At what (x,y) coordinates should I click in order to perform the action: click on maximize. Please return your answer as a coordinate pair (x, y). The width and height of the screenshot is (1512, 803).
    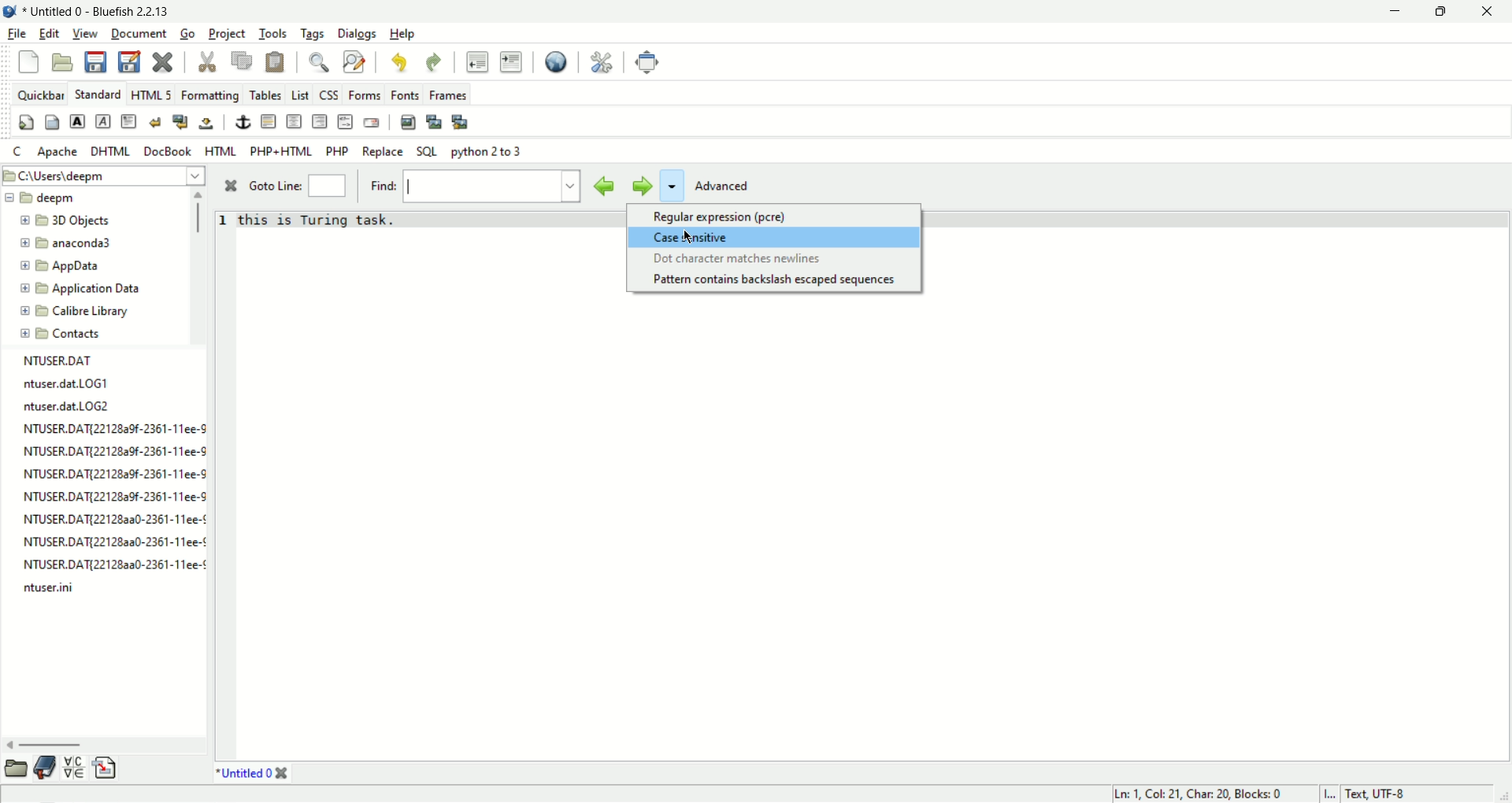
    Looking at the image, I should click on (1444, 13).